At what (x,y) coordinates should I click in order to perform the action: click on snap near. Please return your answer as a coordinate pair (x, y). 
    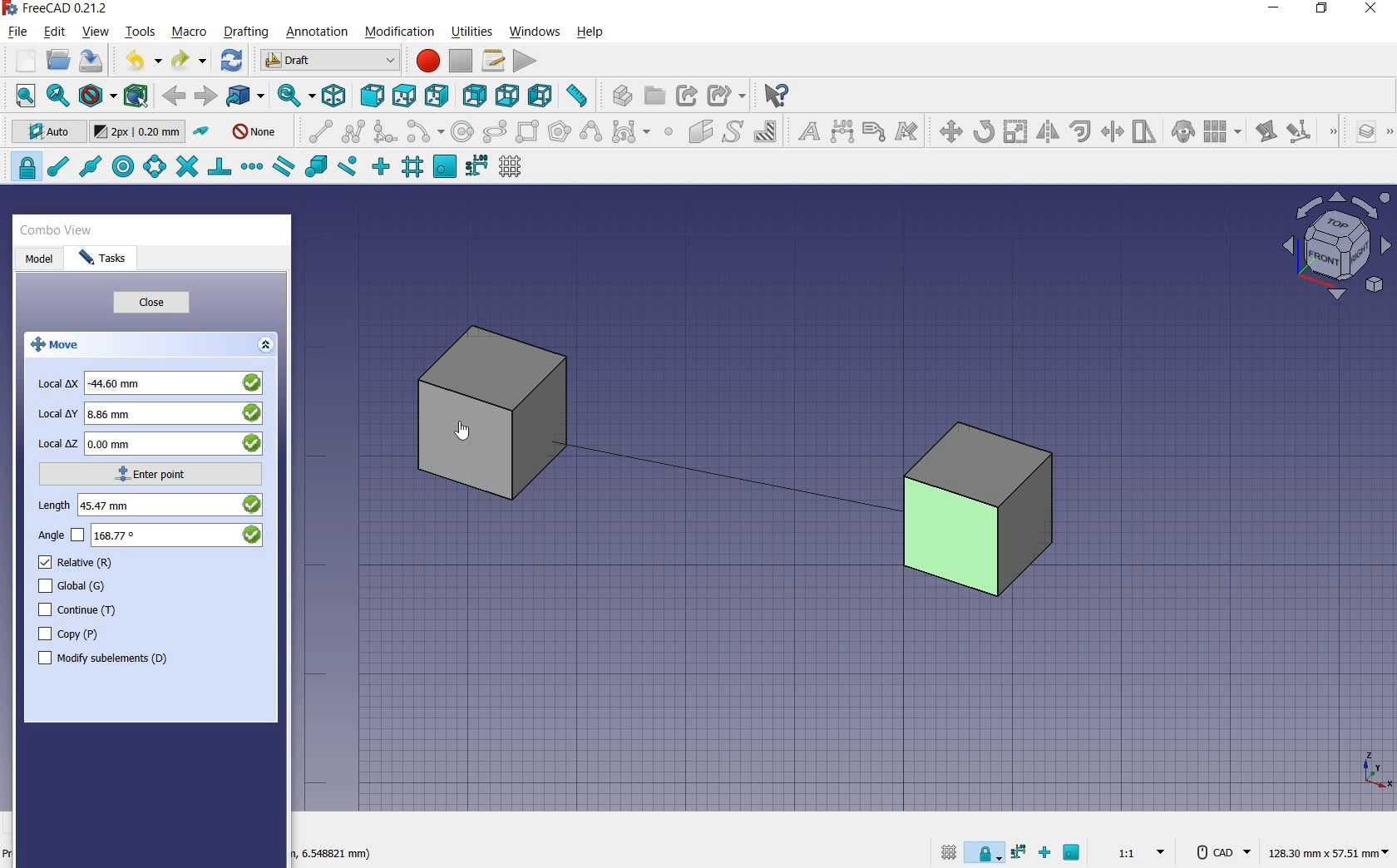
    Looking at the image, I should click on (348, 166).